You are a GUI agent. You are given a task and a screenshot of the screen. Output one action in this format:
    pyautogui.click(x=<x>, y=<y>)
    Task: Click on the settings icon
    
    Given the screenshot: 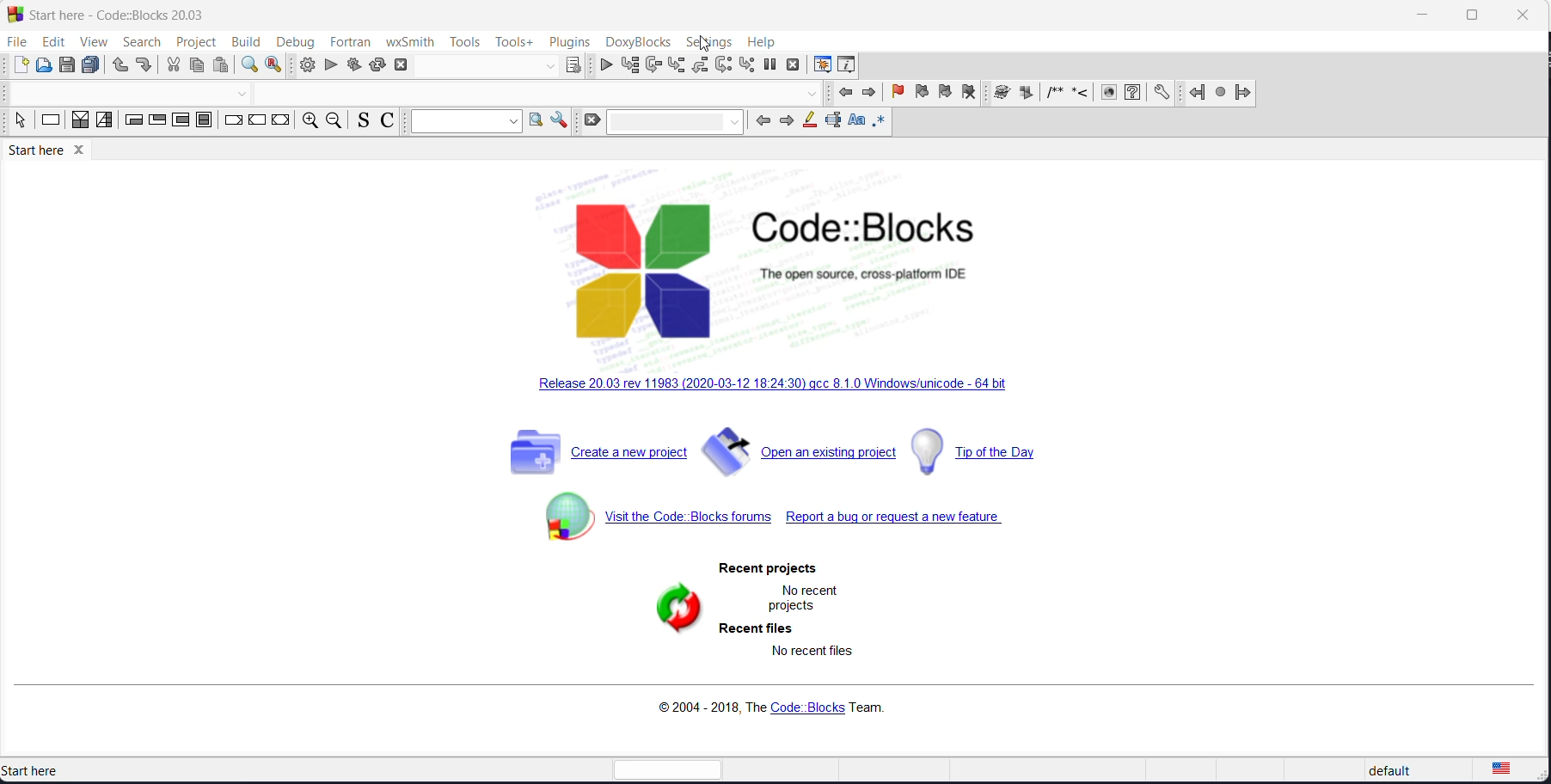 What is the action you would take?
    pyautogui.click(x=1162, y=93)
    